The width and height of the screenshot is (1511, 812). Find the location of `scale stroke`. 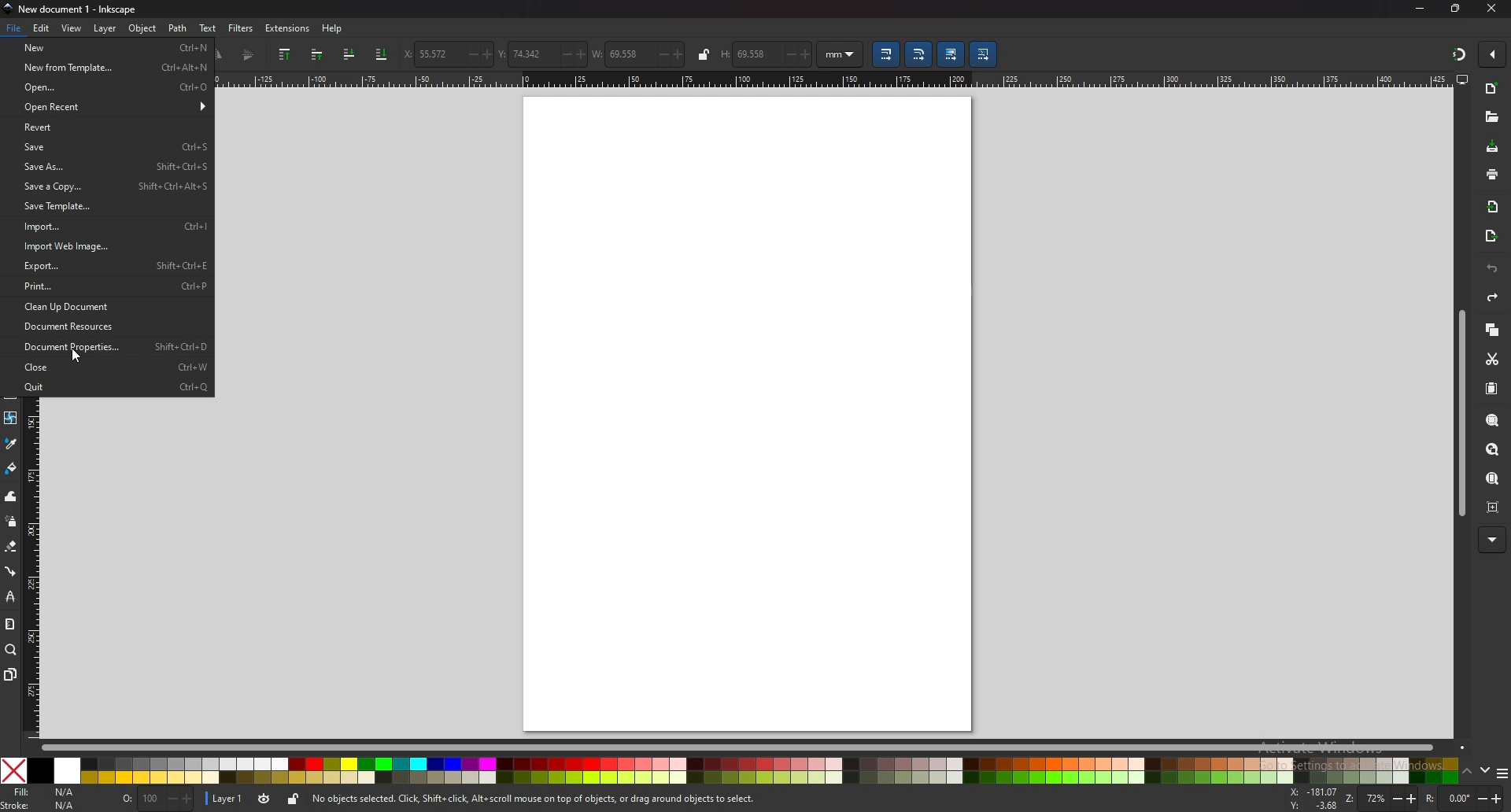

scale stroke is located at coordinates (381, 54).